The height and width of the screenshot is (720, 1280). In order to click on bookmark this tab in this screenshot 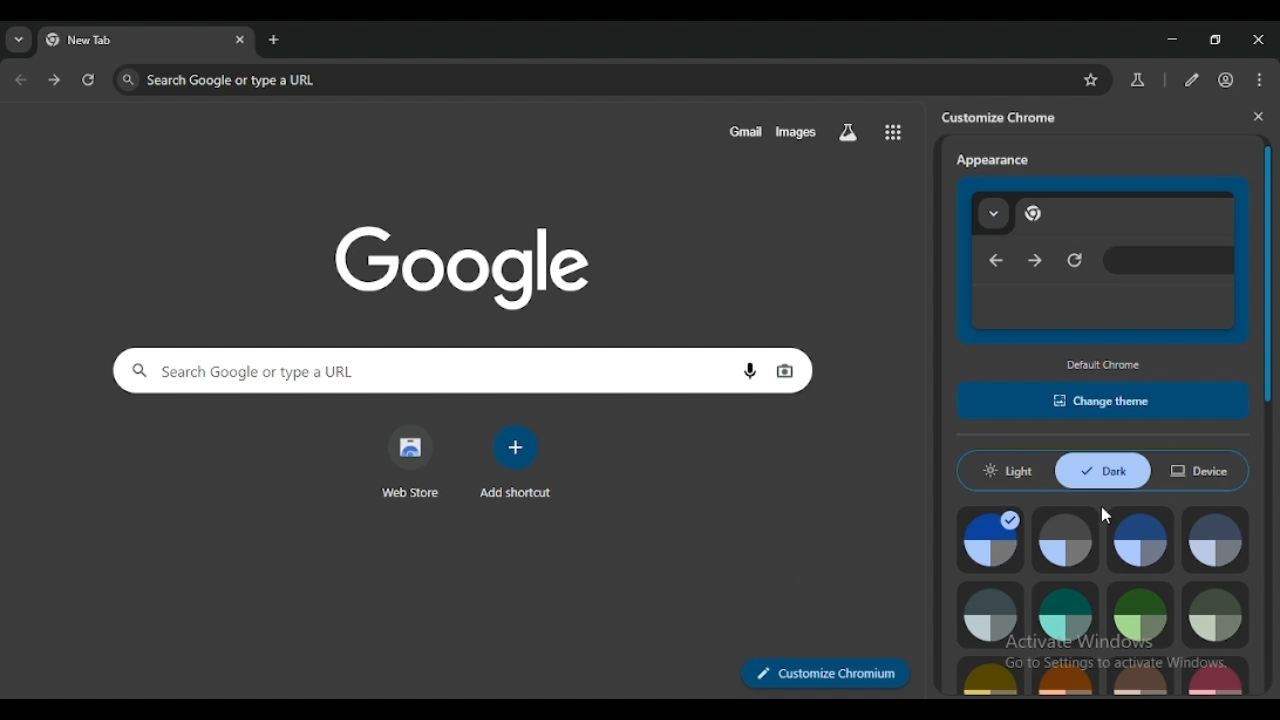, I will do `click(1092, 79)`.